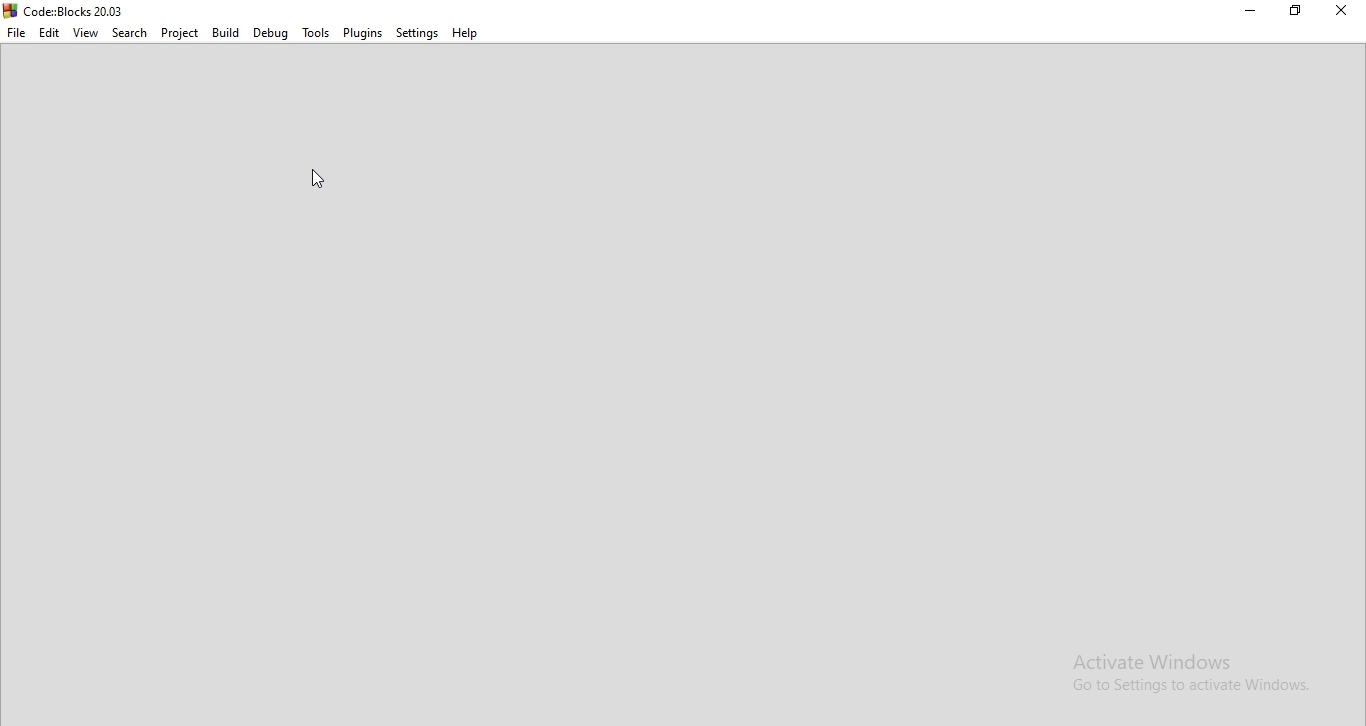  Describe the element at coordinates (86, 33) in the screenshot. I see `View ` at that location.